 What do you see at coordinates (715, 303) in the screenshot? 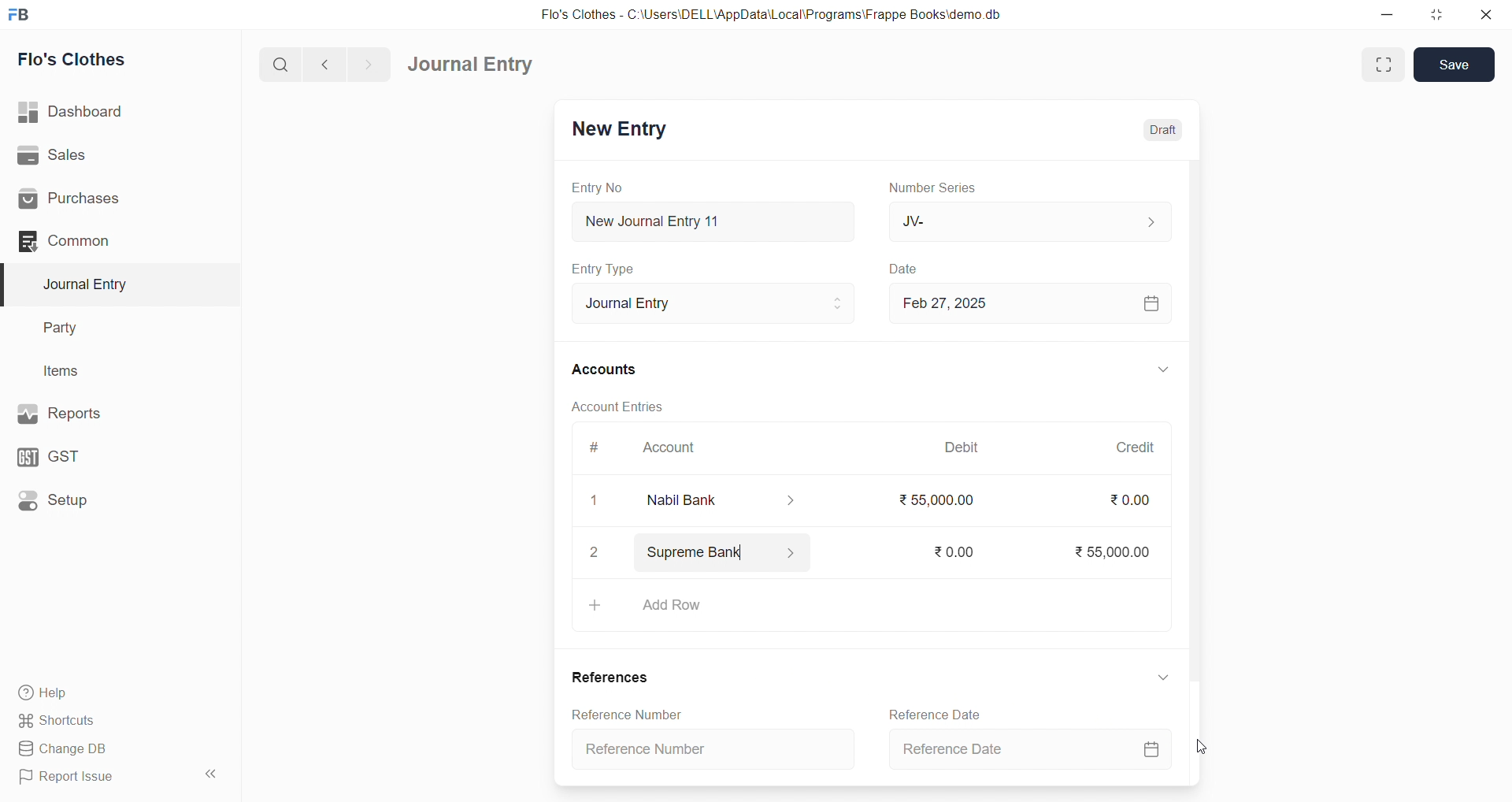
I see `Journal Entry` at bounding box center [715, 303].